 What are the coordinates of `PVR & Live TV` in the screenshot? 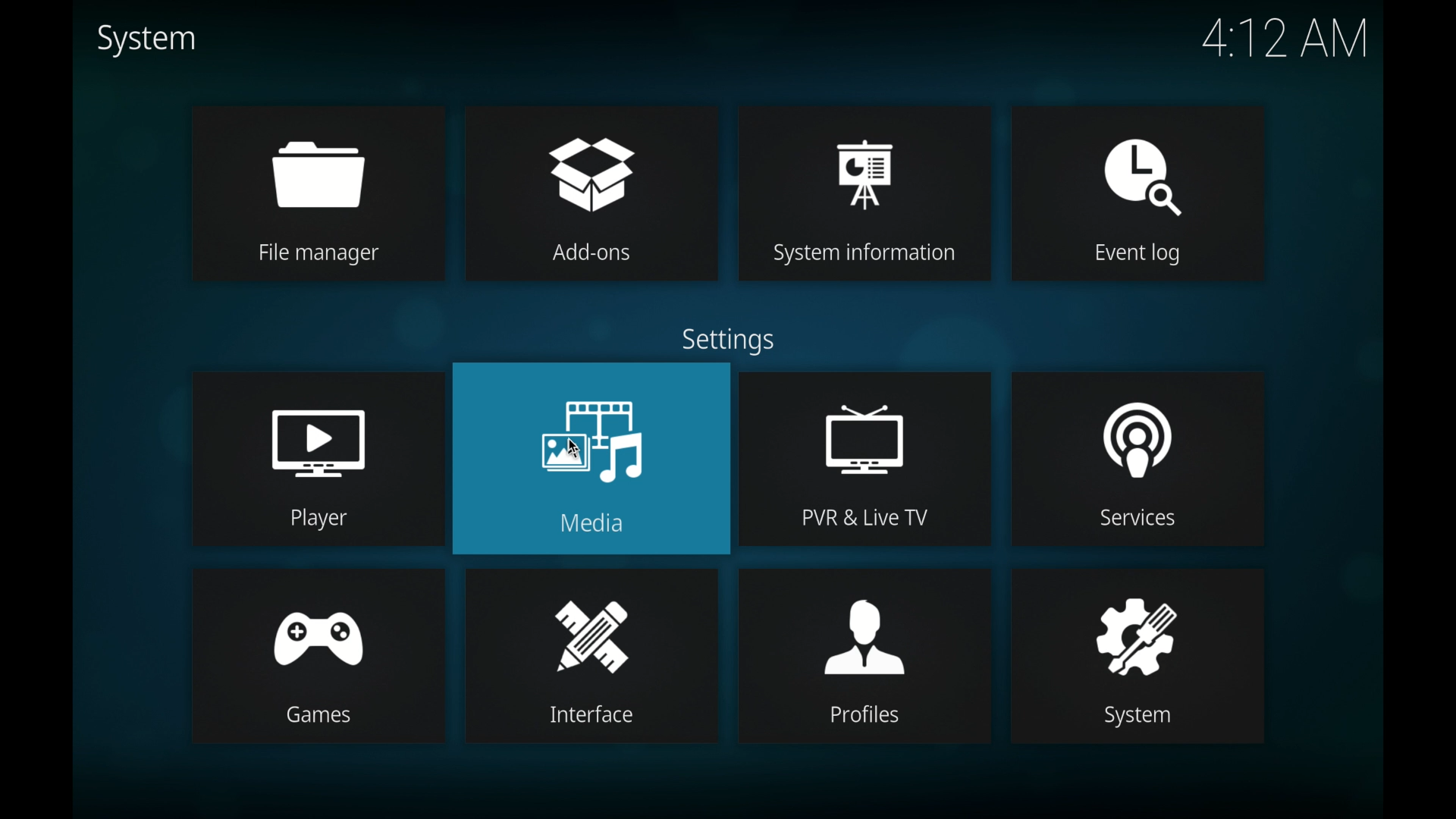 It's located at (870, 522).